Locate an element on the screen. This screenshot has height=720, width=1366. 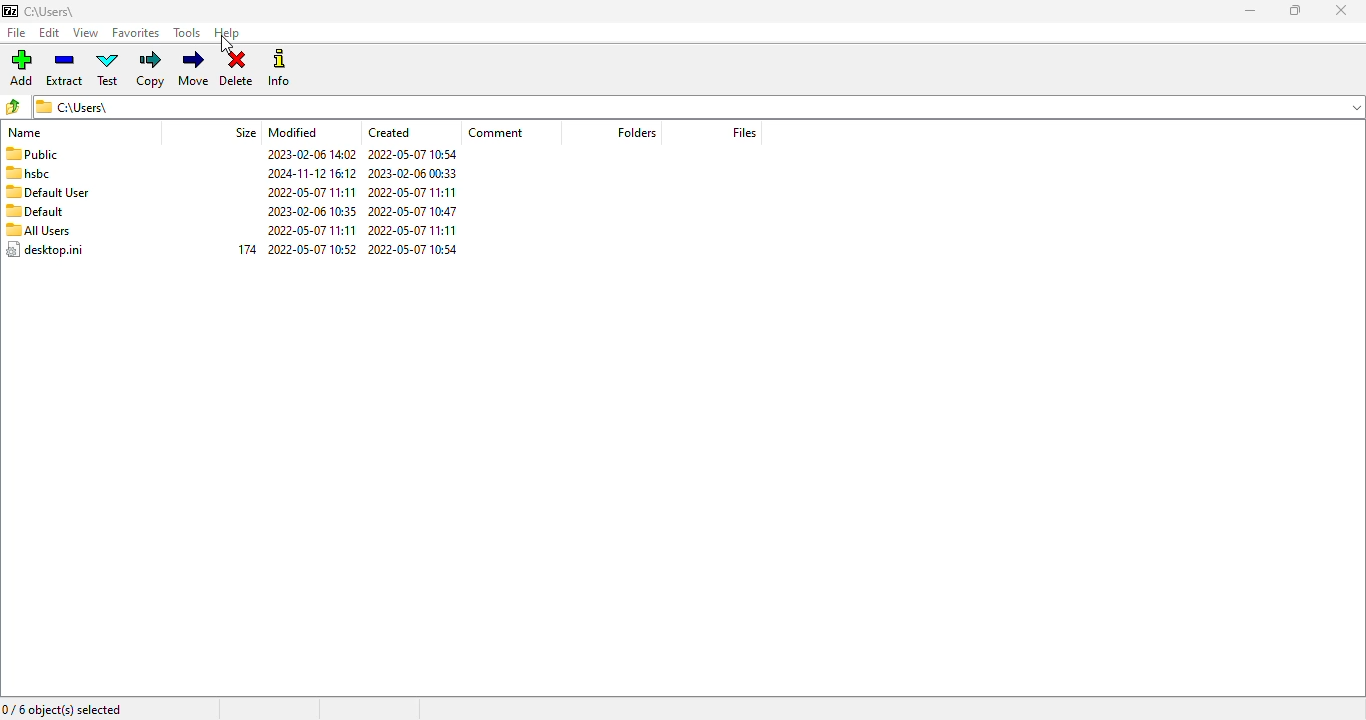
extract is located at coordinates (65, 70).